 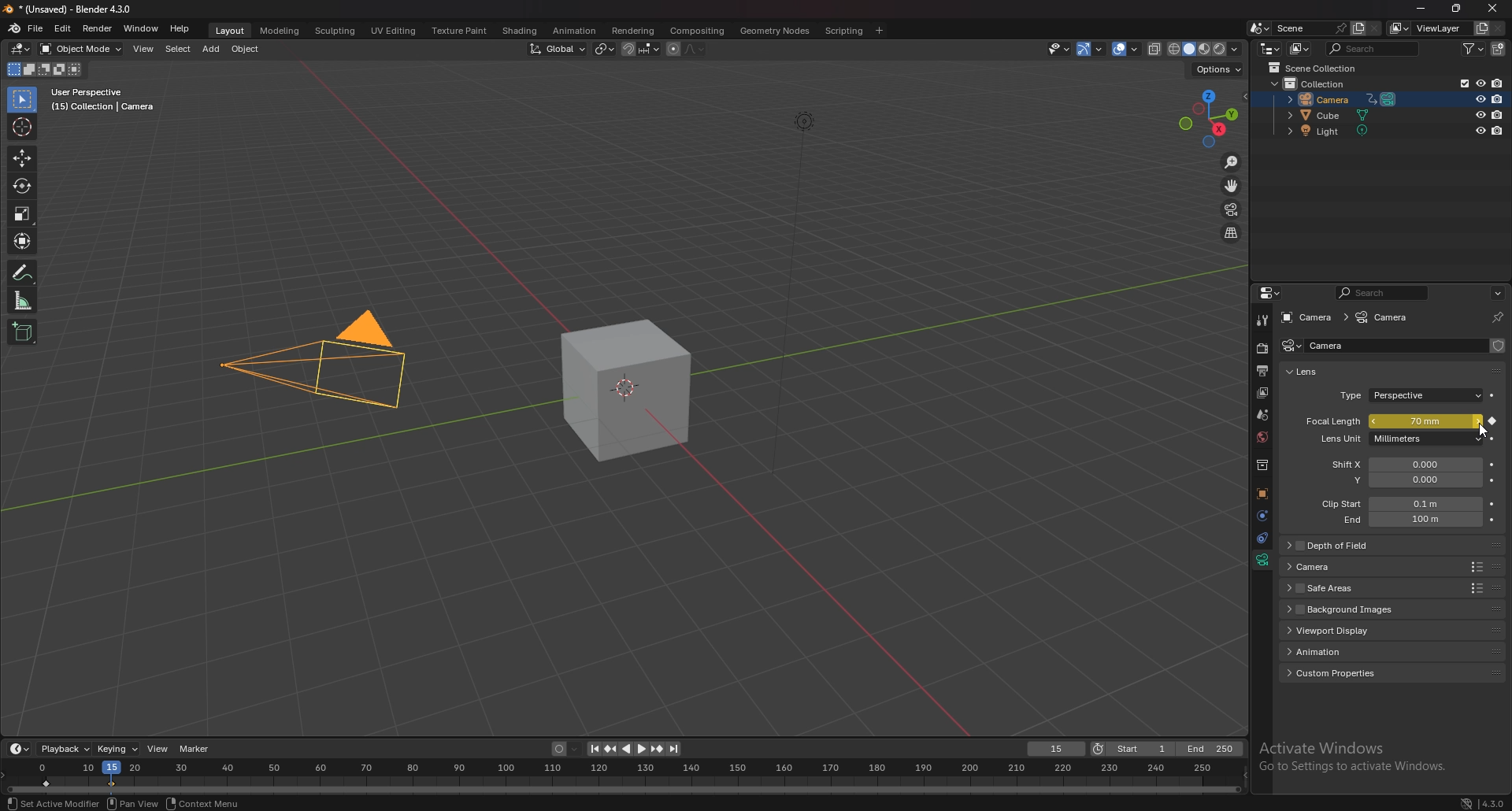 I want to click on search, so click(x=1373, y=48).